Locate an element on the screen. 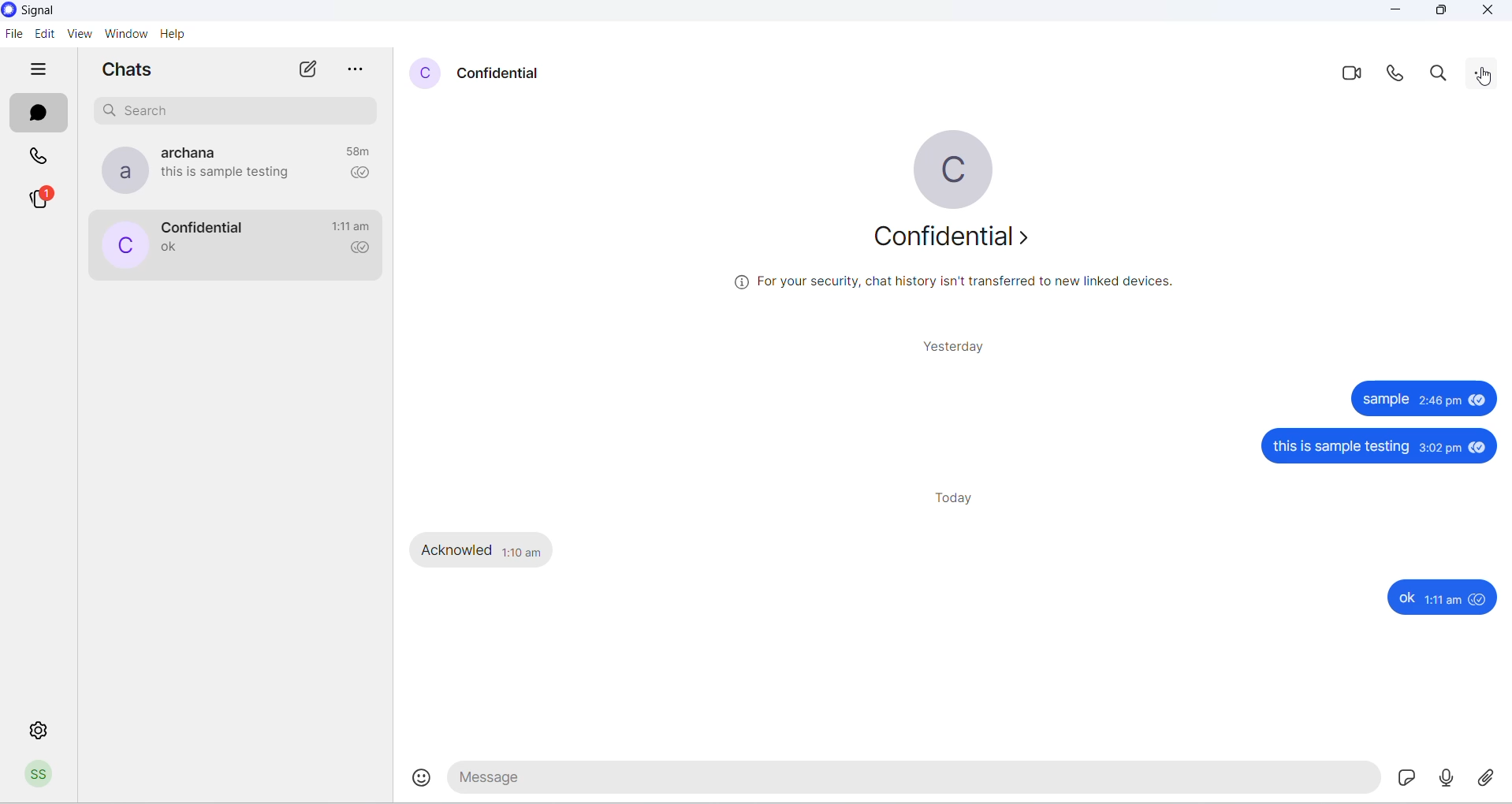 The image size is (1512, 804). maximize is located at coordinates (1443, 14).